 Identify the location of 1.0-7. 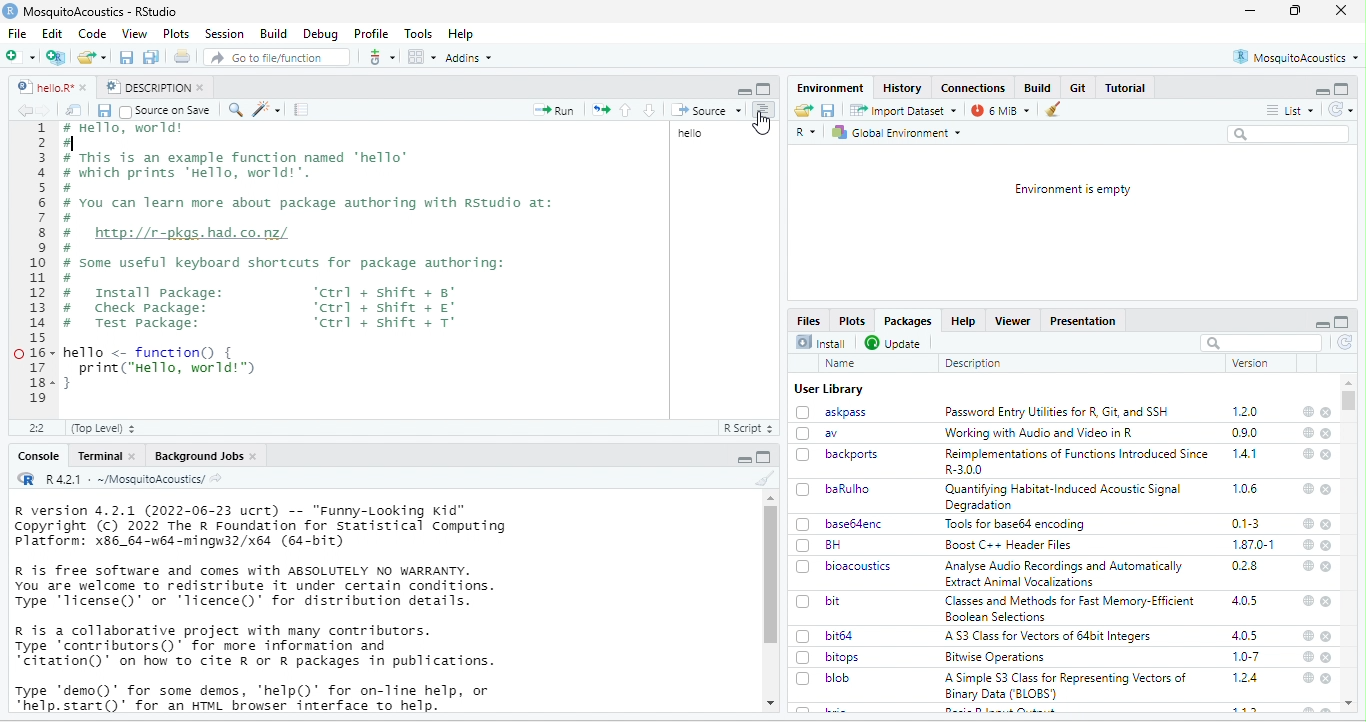
(1245, 657).